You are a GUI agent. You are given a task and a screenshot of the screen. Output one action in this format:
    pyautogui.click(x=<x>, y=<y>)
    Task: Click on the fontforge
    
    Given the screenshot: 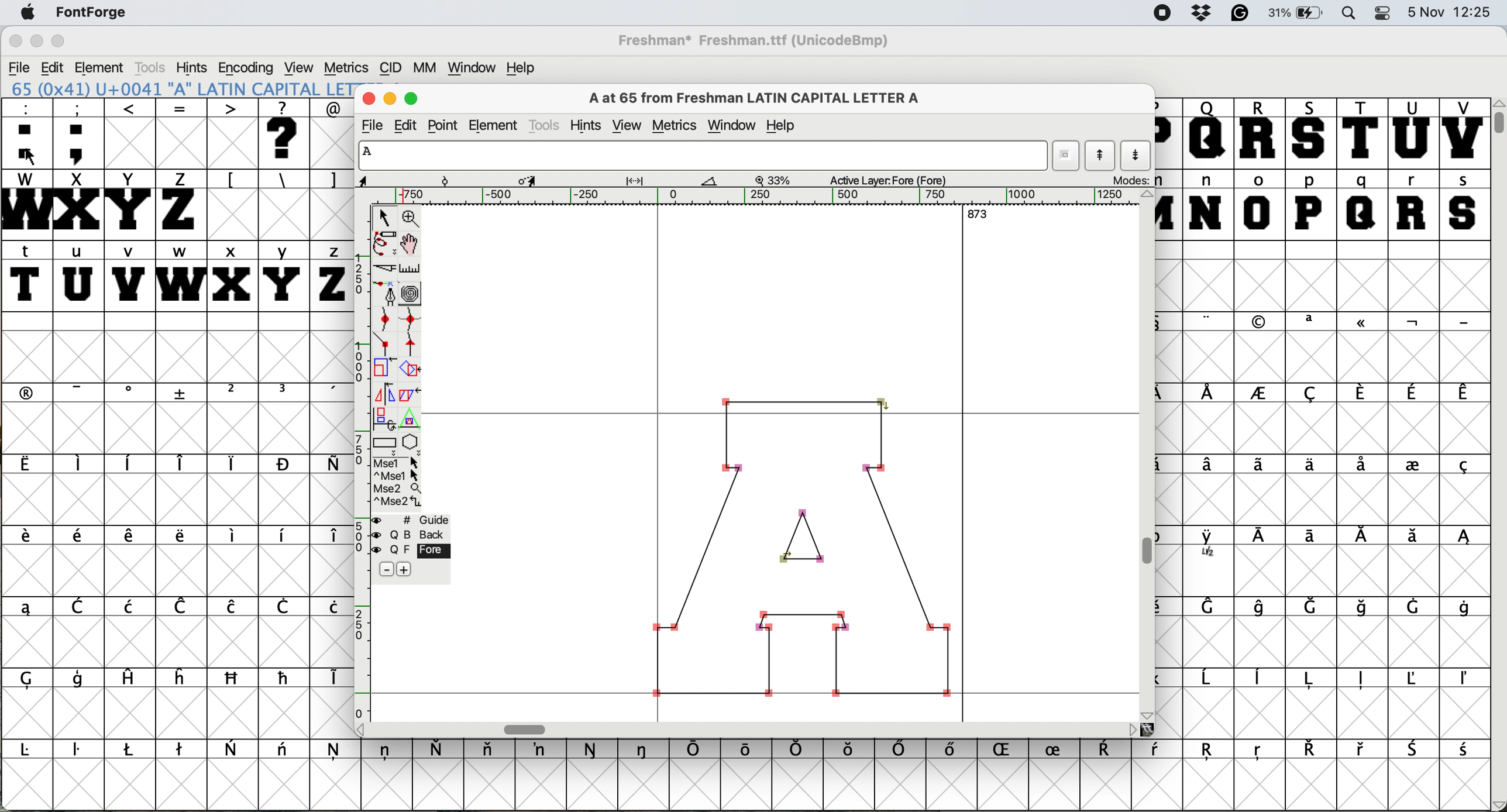 What is the action you would take?
    pyautogui.click(x=88, y=13)
    